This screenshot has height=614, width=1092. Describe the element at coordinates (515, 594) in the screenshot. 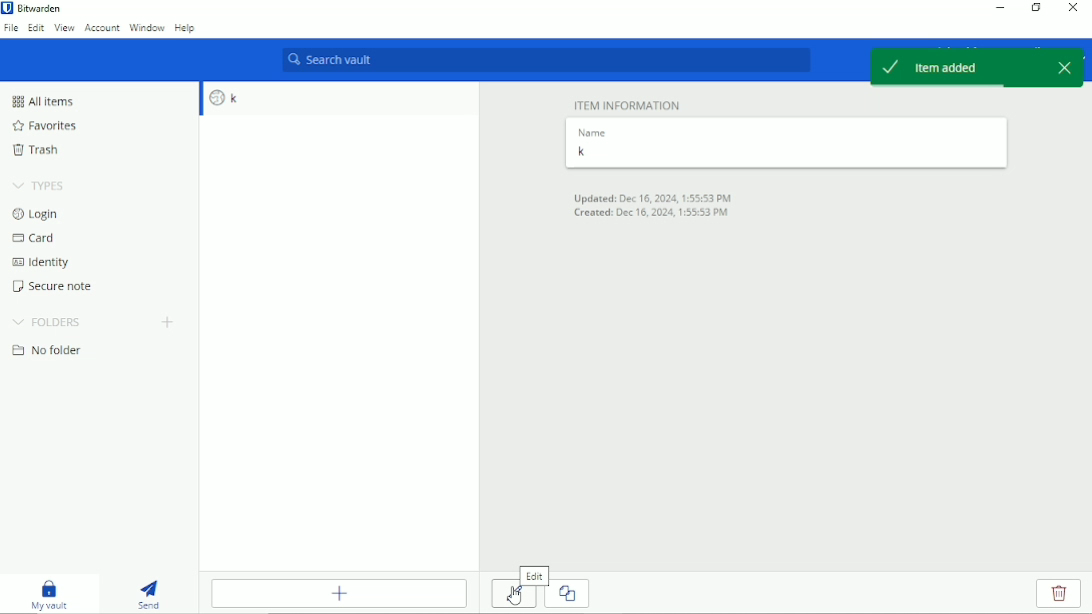

I see `cursor` at that location.